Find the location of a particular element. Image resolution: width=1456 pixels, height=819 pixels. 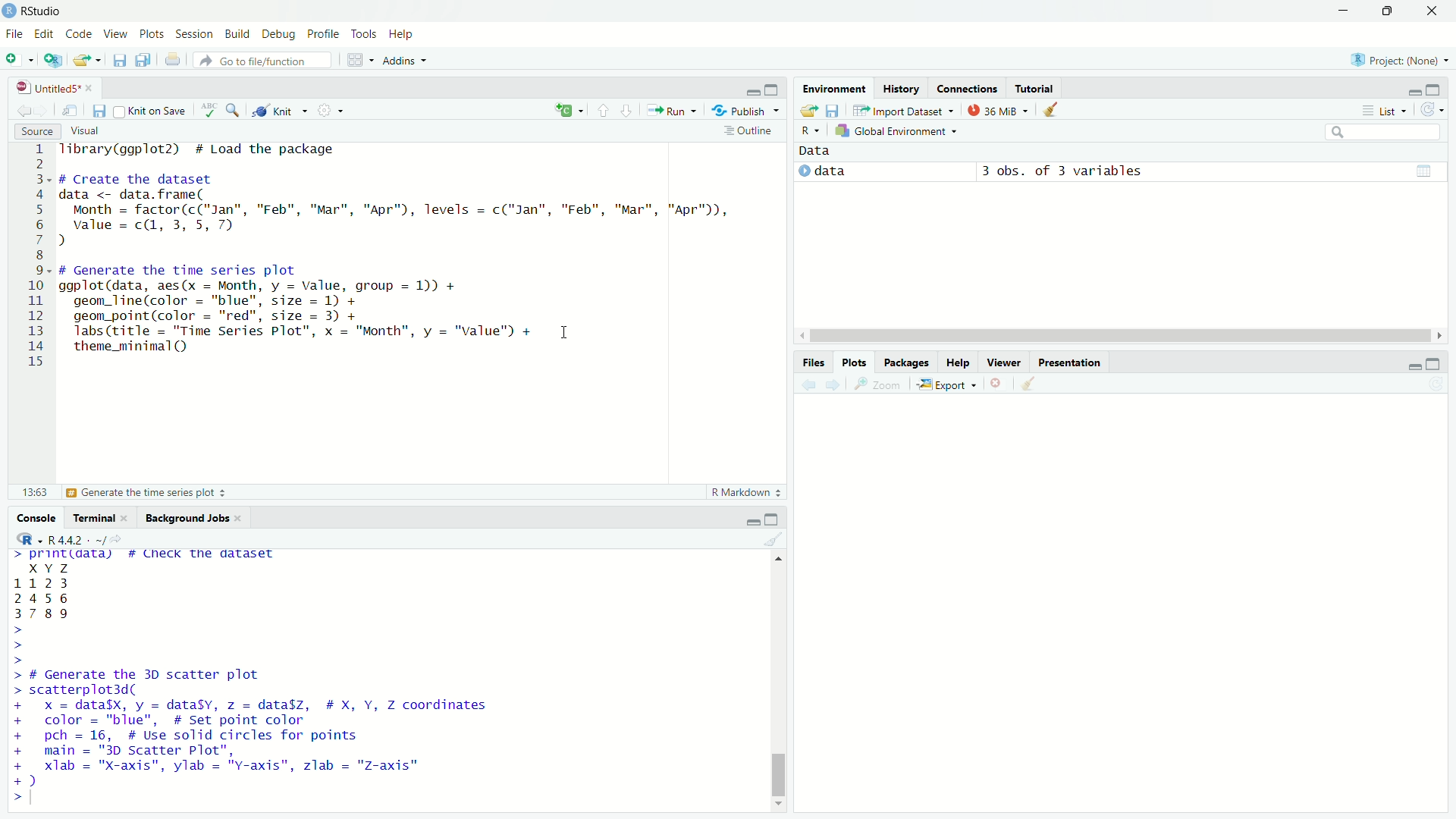

save current document is located at coordinates (99, 110).